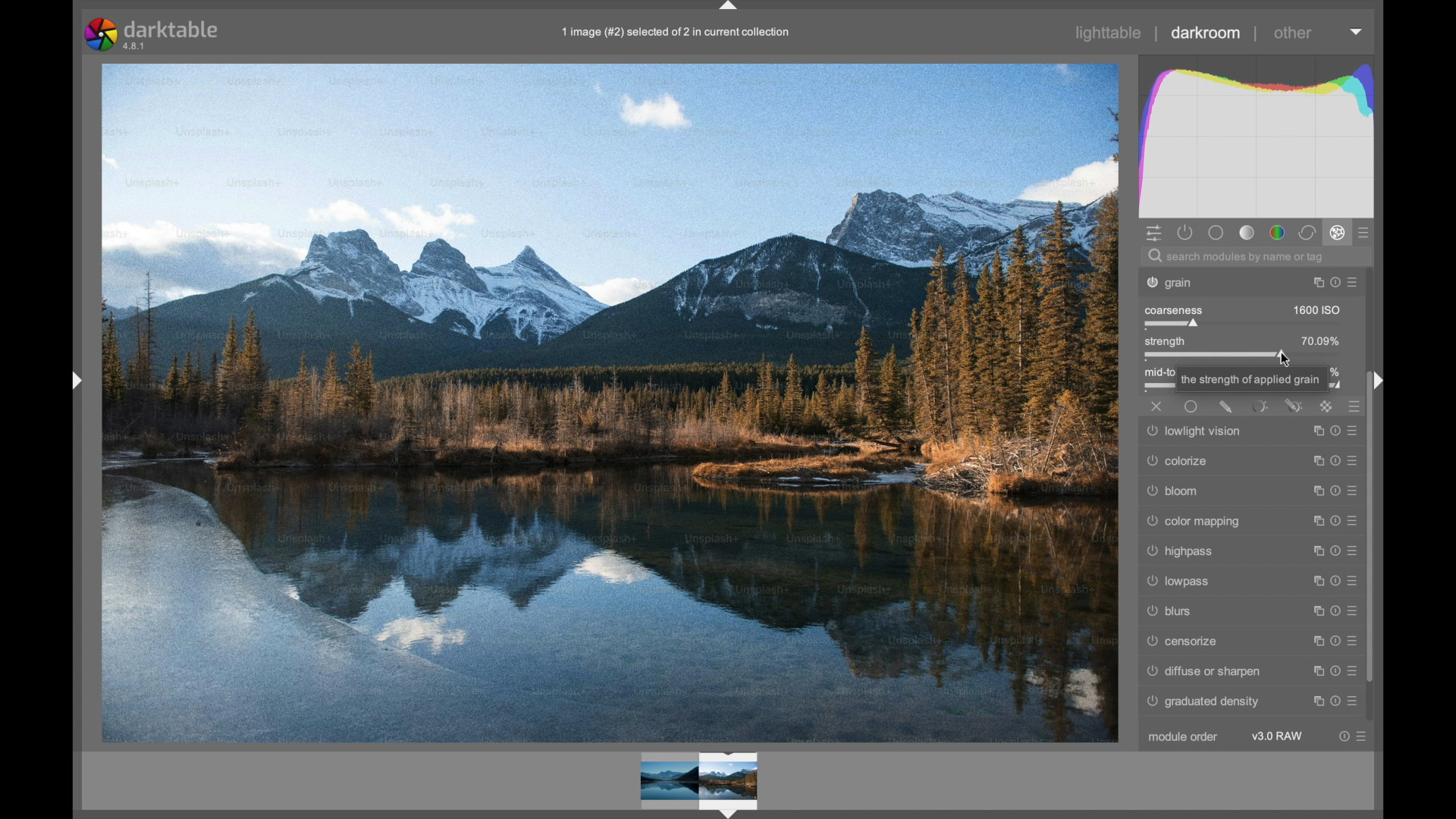 The width and height of the screenshot is (1456, 819). Describe the element at coordinates (1226, 408) in the screenshot. I see `drawn mask` at that location.